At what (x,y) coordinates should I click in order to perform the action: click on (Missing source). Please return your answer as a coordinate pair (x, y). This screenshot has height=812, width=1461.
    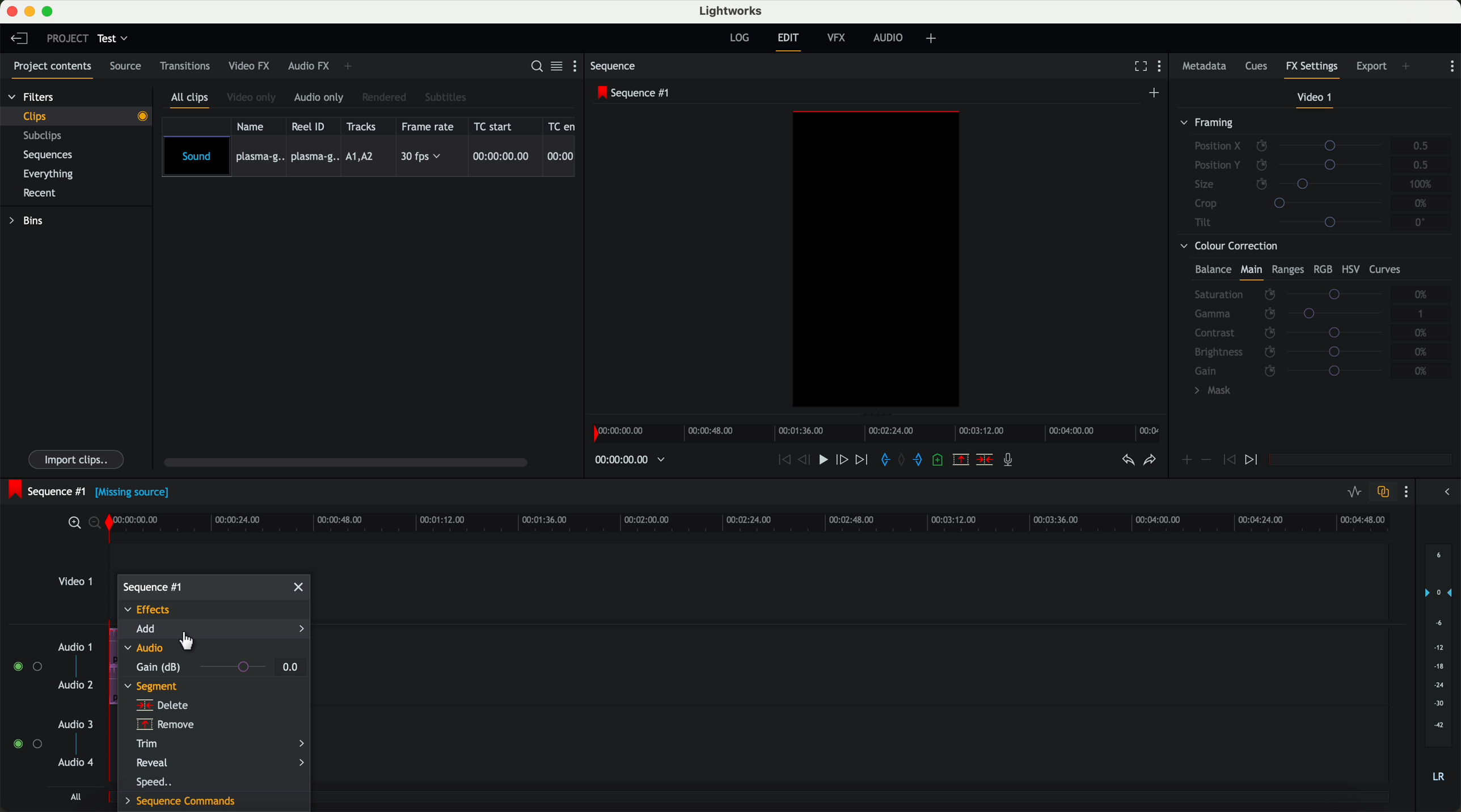
    Looking at the image, I should click on (135, 494).